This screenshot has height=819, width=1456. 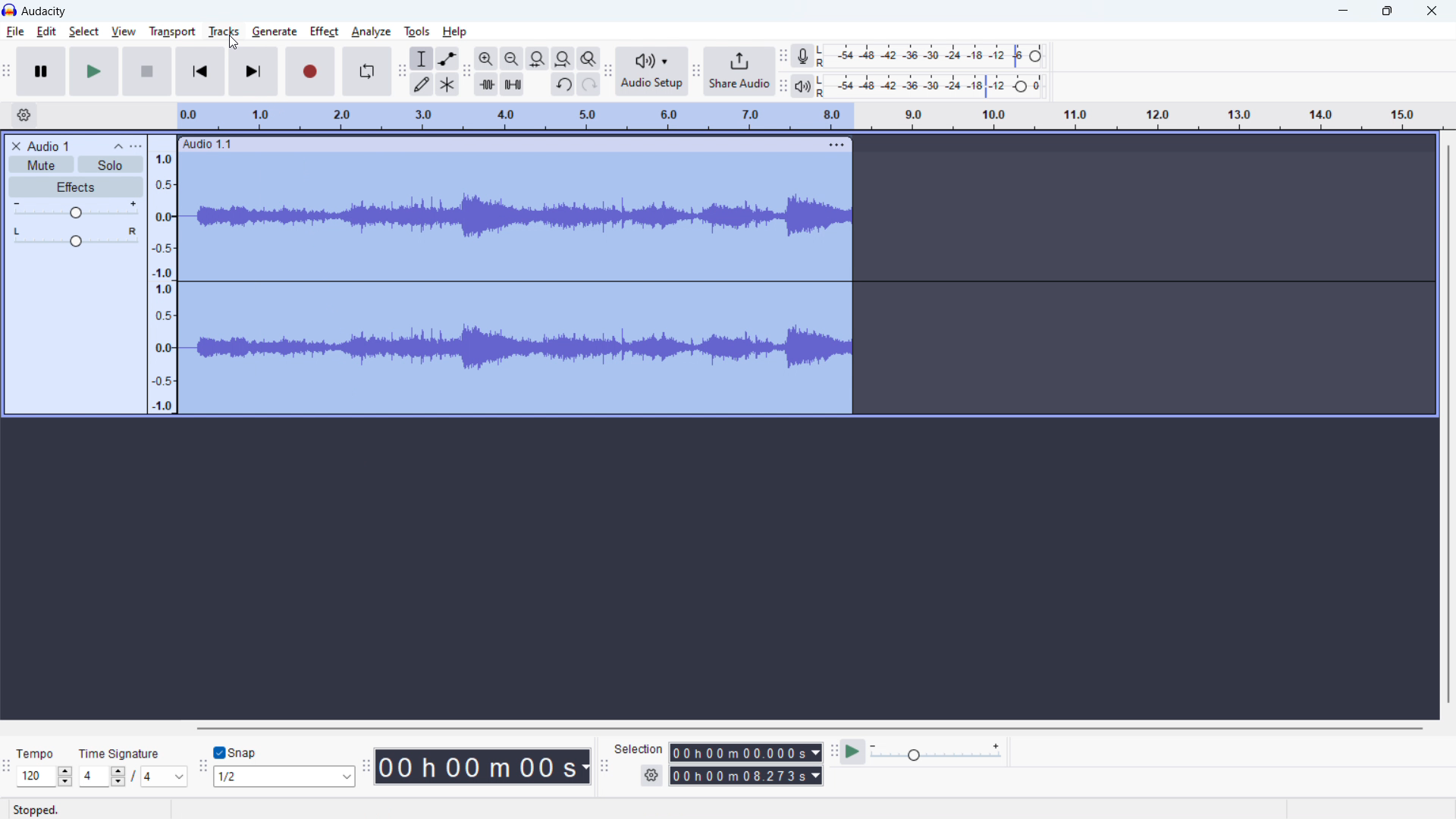 What do you see at coordinates (421, 85) in the screenshot?
I see `draw tool` at bounding box center [421, 85].